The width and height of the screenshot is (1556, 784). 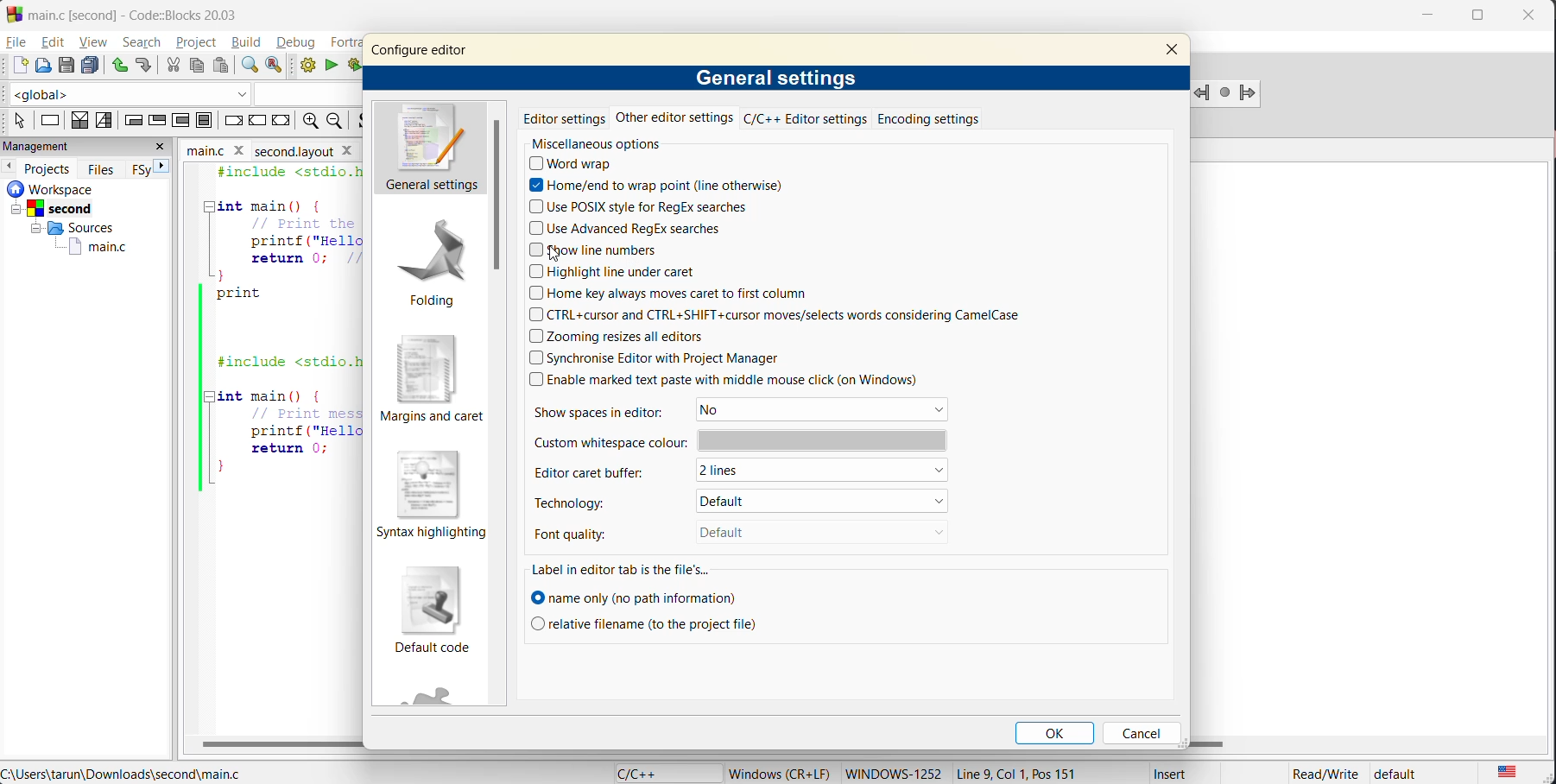 What do you see at coordinates (563, 250) in the screenshot?
I see `Cursor` at bounding box center [563, 250].